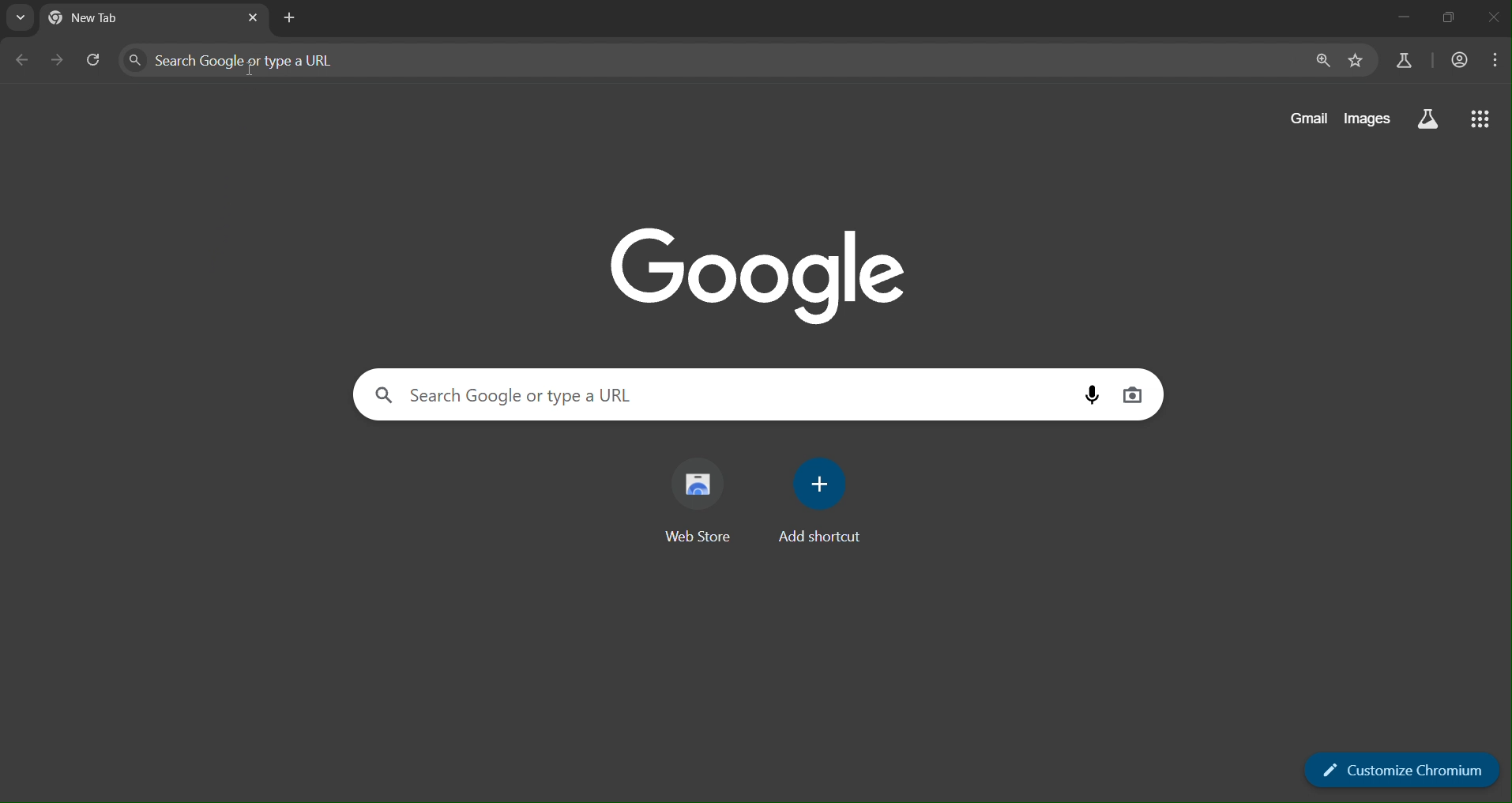  I want to click on menu, so click(1498, 62).